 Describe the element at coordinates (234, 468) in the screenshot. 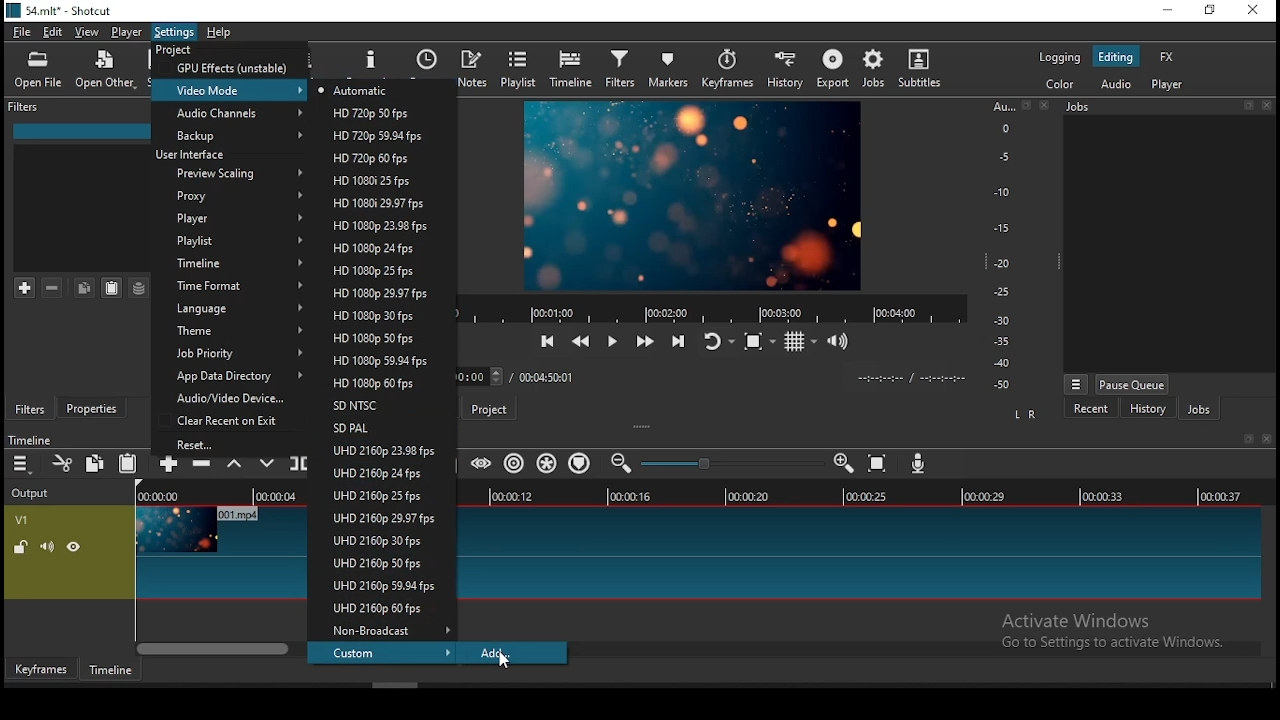

I see `lift` at that location.